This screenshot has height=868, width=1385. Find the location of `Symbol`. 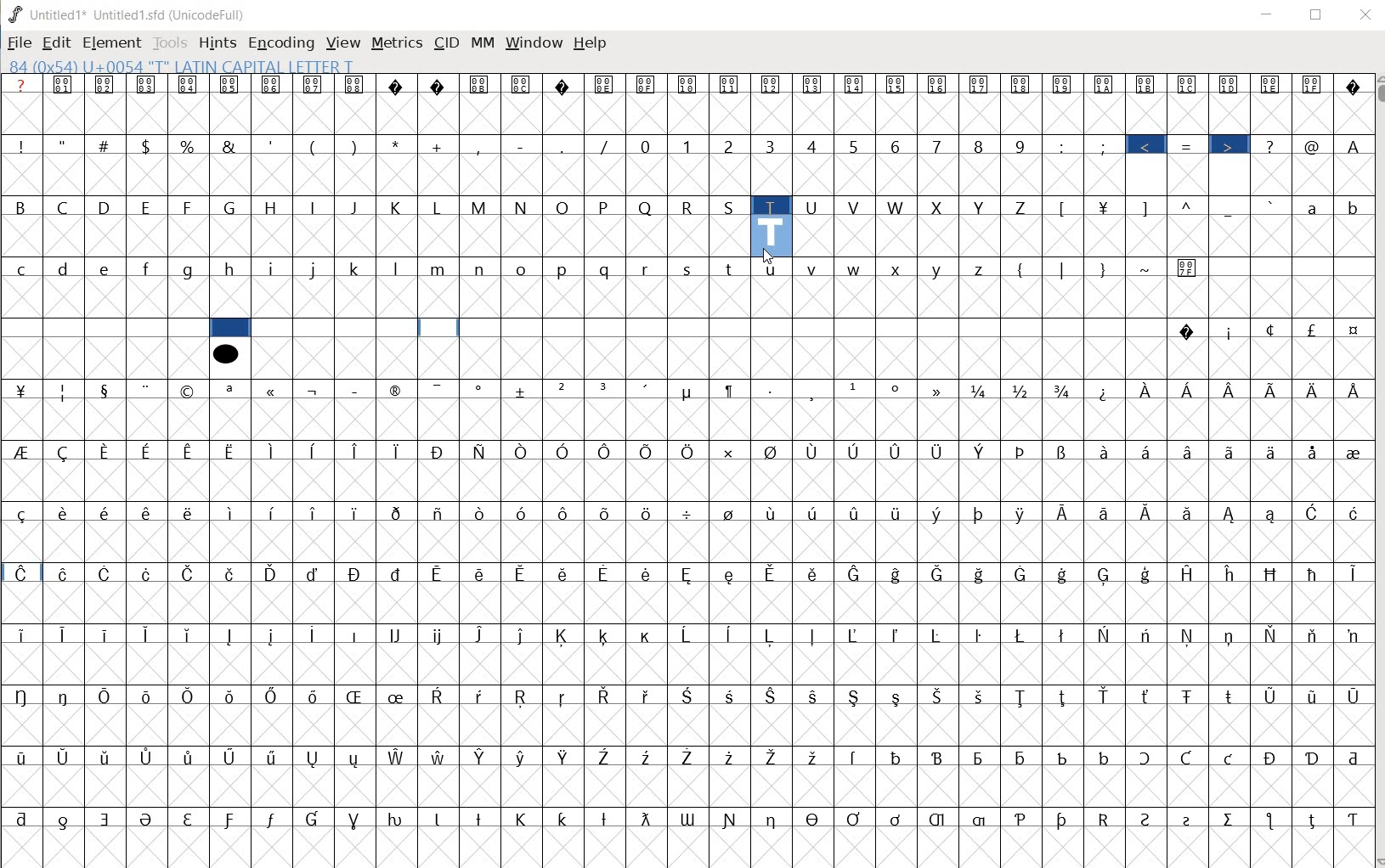

Symbol is located at coordinates (482, 817).